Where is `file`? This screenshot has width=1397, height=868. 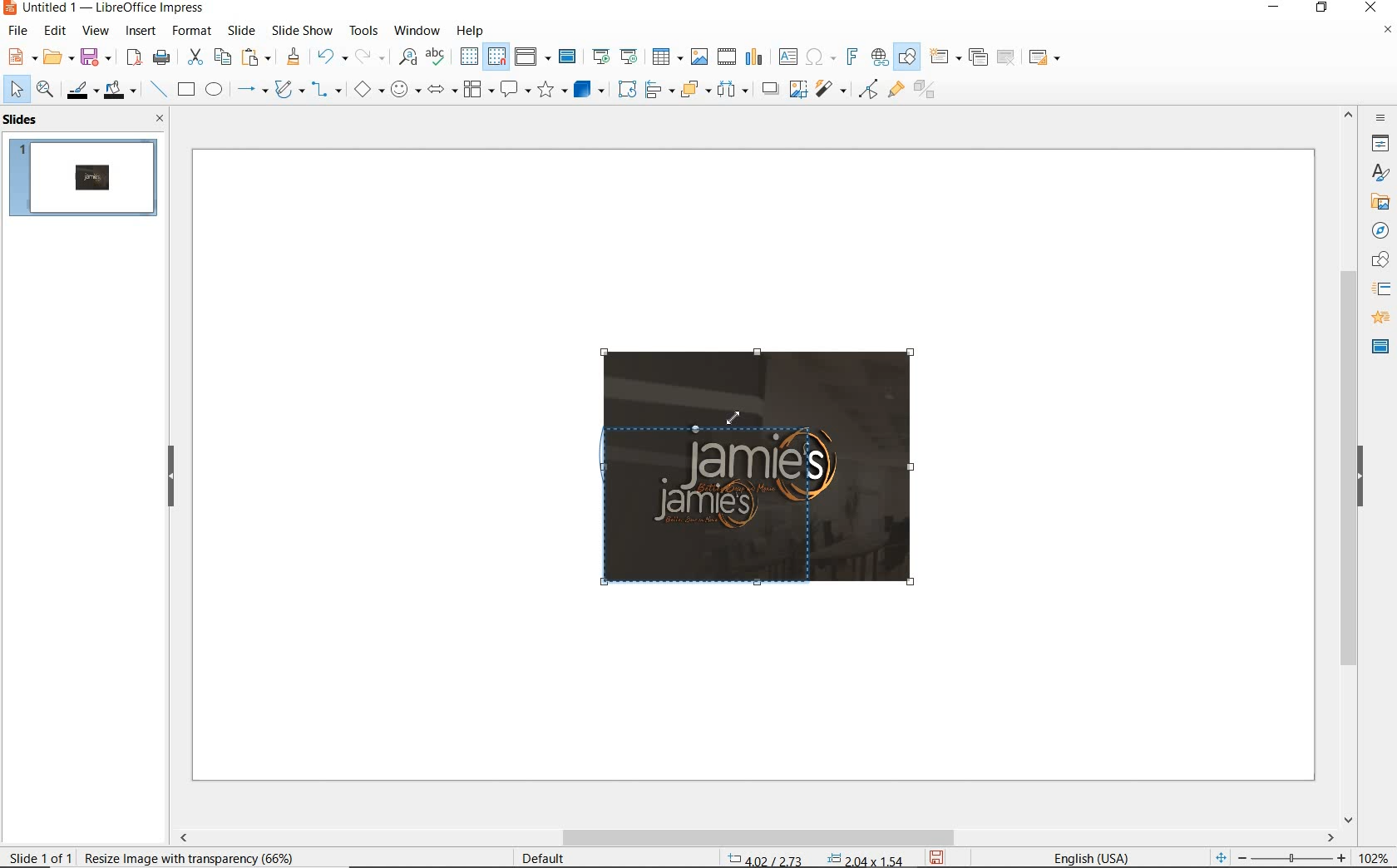
file is located at coordinates (19, 31).